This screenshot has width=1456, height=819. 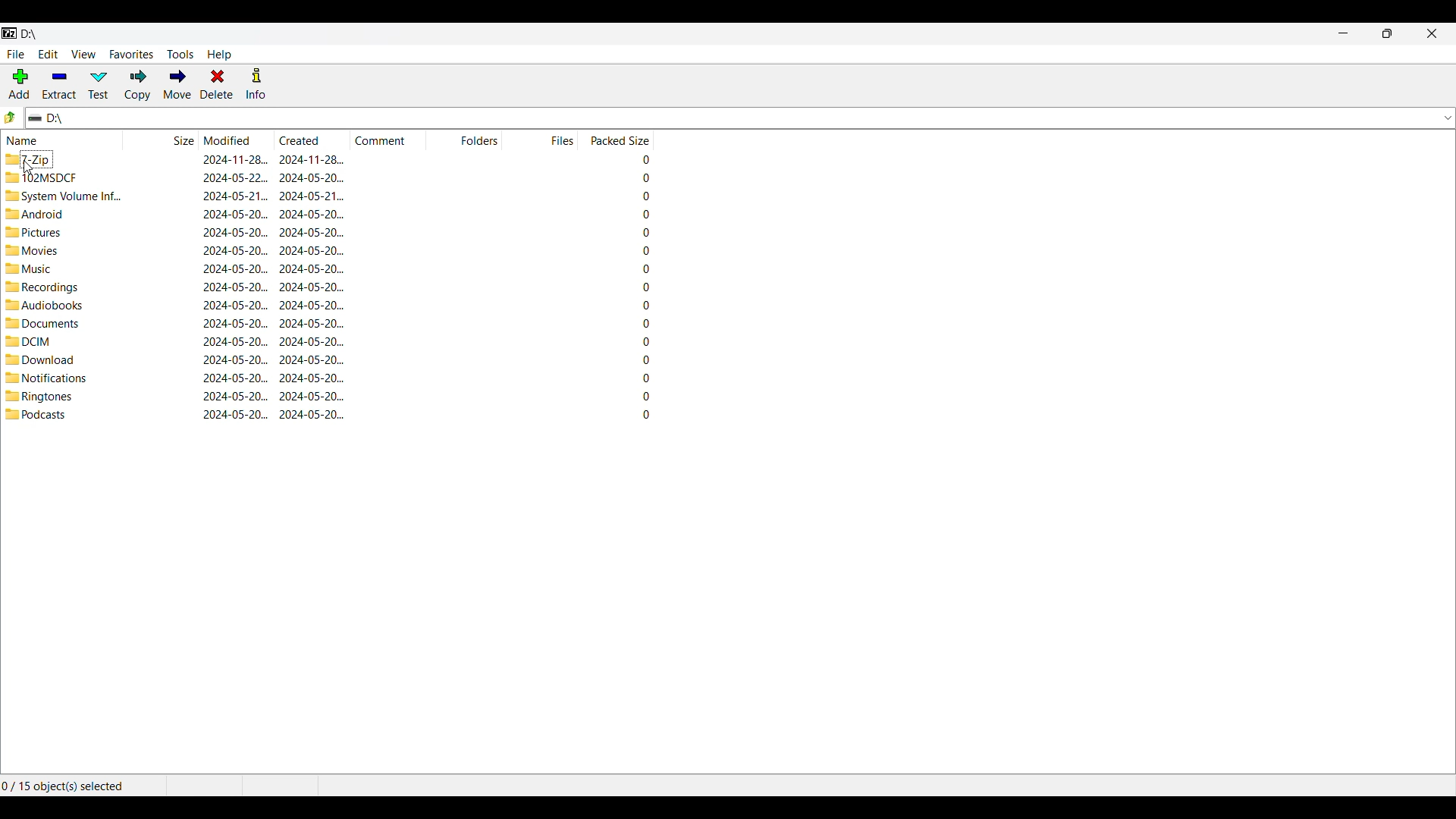 What do you see at coordinates (1388, 33) in the screenshot?
I see `Show interface in a smaller tab` at bounding box center [1388, 33].